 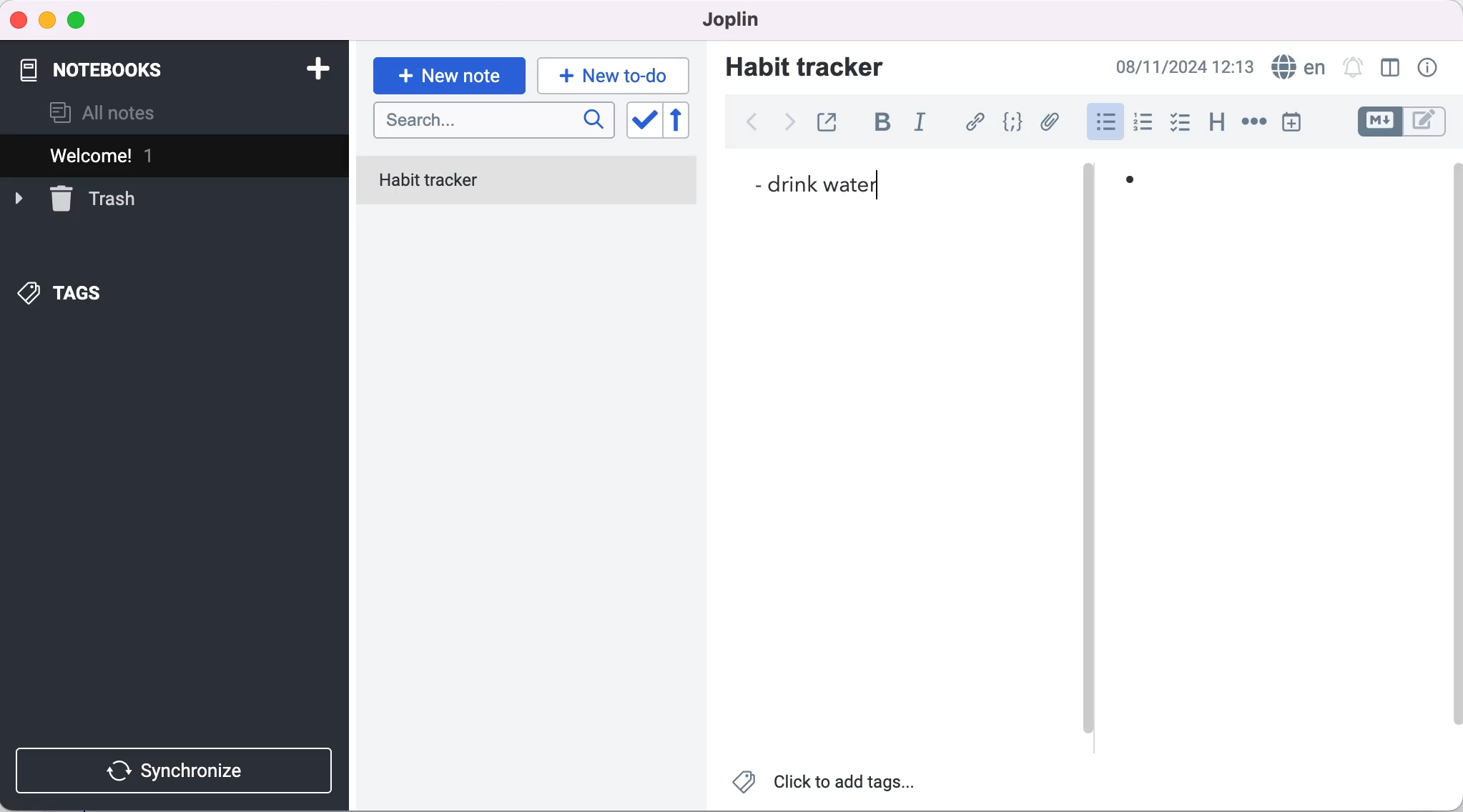 What do you see at coordinates (814, 182) in the screenshot?
I see `- drink water` at bounding box center [814, 182].